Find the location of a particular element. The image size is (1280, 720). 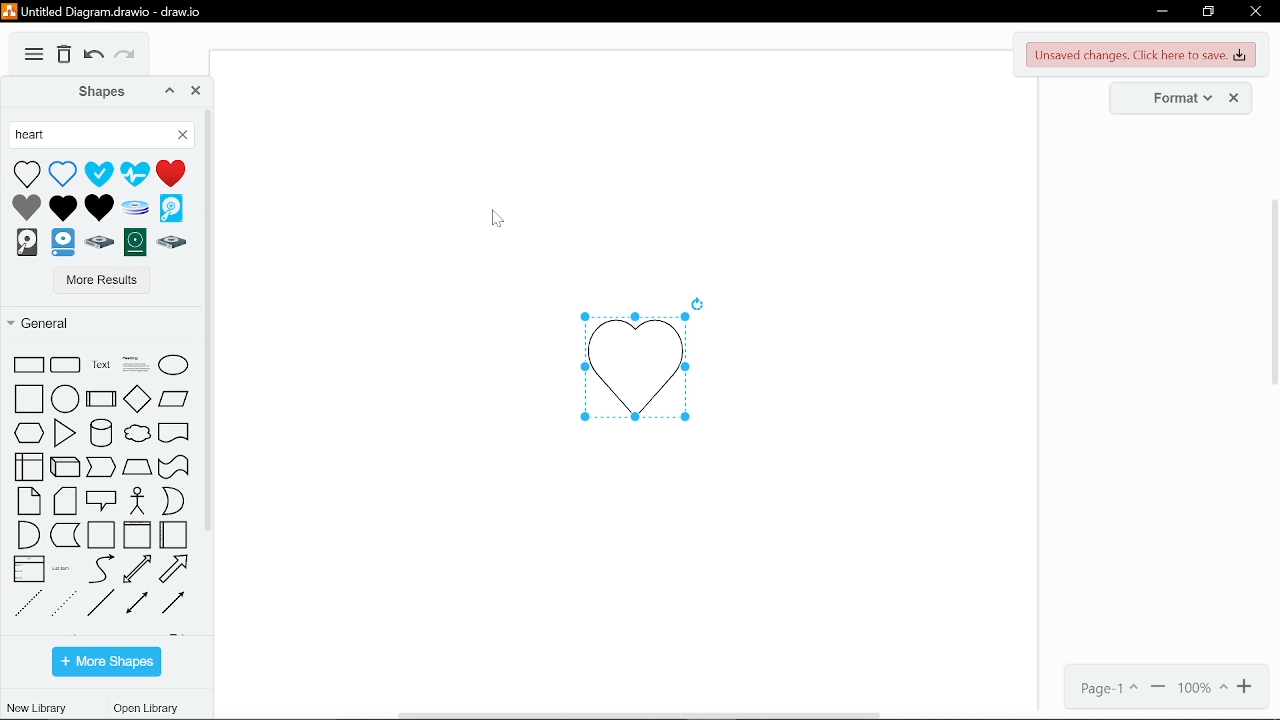

step is located at coordinates (102, 468).